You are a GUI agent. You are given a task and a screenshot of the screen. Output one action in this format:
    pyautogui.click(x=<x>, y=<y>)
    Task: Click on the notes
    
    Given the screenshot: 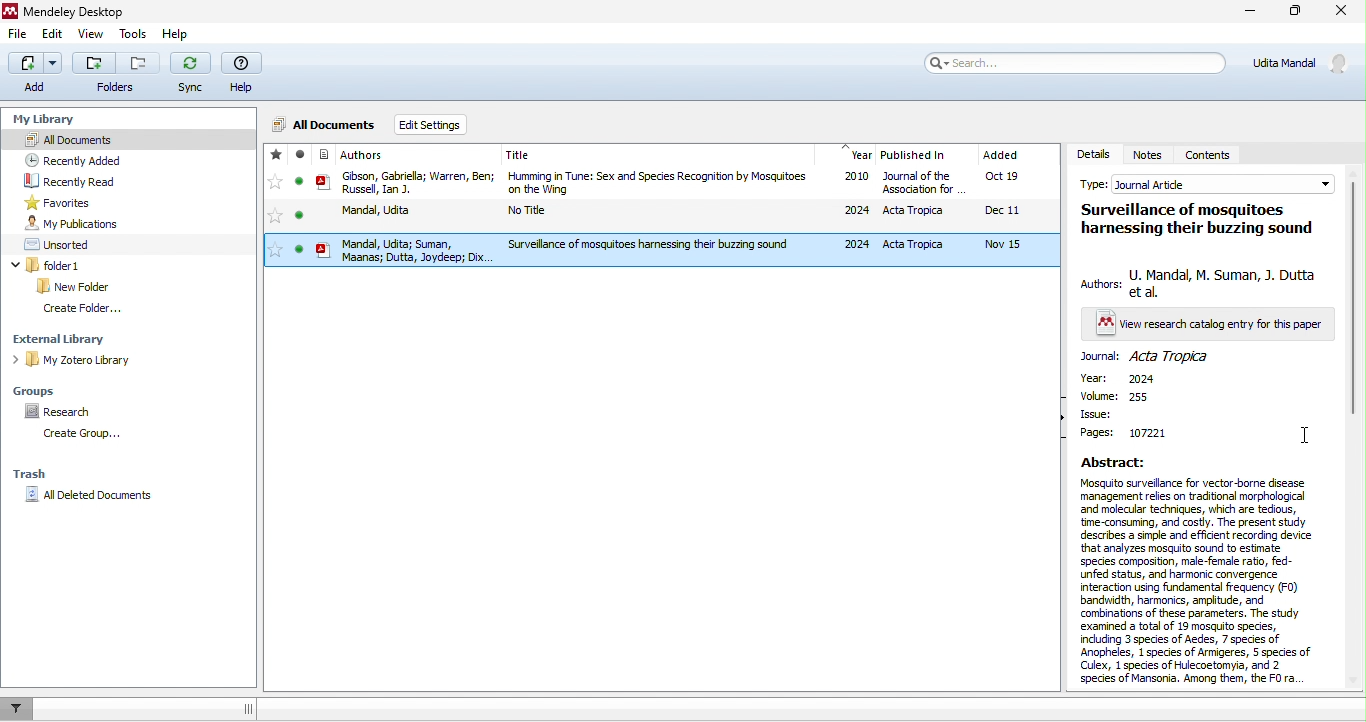 What is the action you would take?
    pyautogui.click(x=1150, y=155)
    